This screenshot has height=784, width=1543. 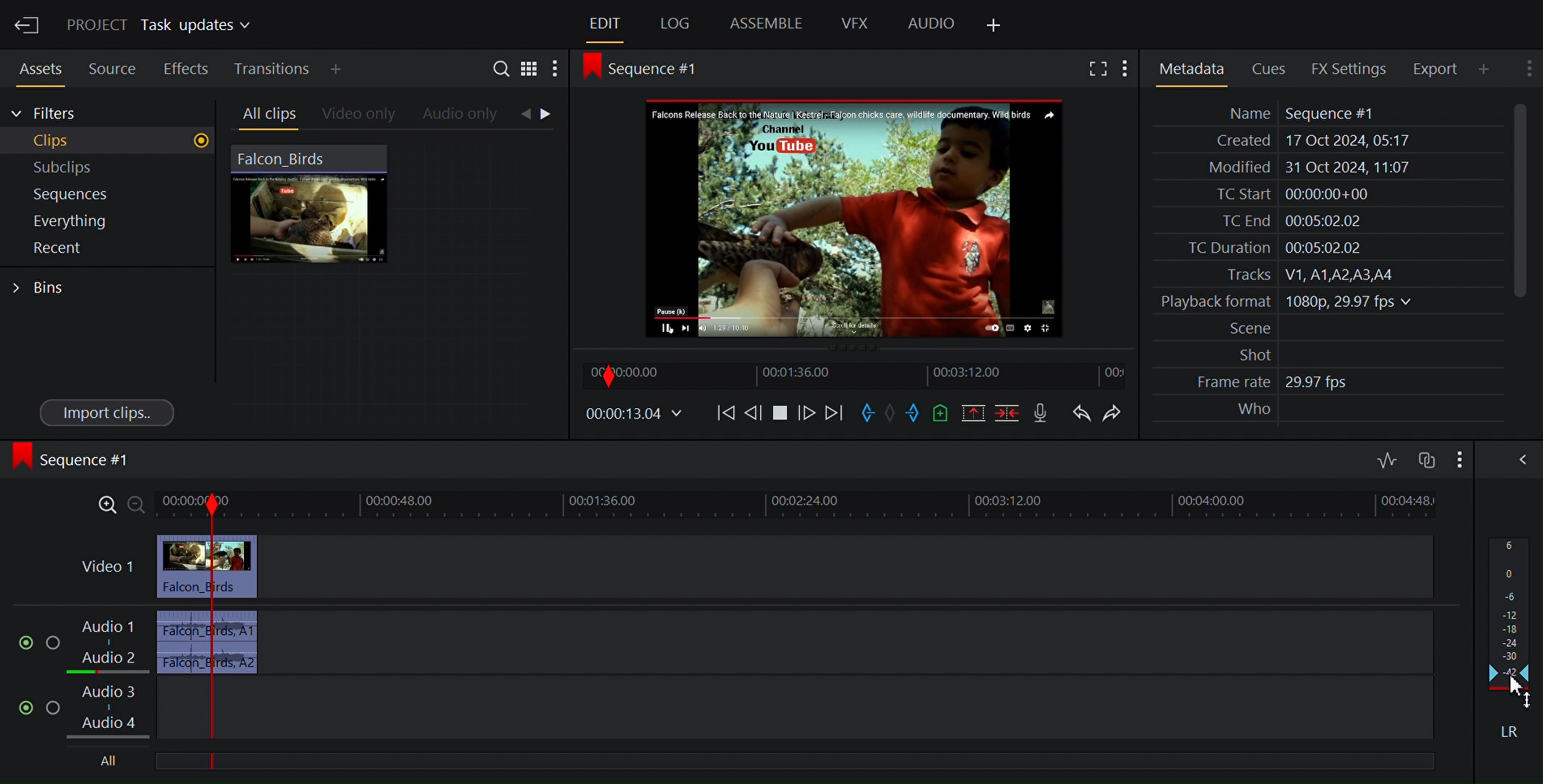 I want to click on Metadata, so click(x=1191, y=66).